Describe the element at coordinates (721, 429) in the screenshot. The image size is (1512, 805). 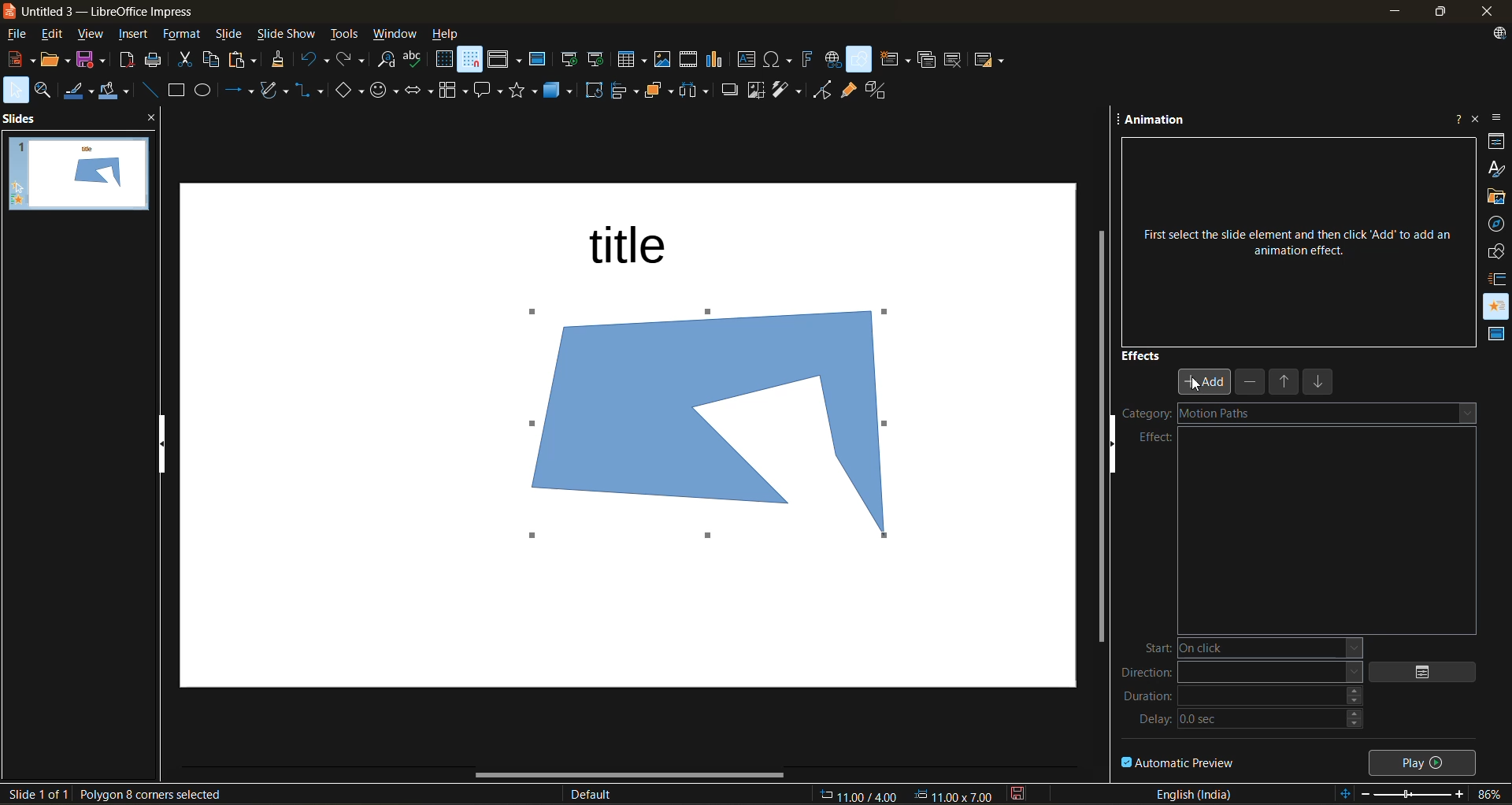
I see `shape inserted` at that location.